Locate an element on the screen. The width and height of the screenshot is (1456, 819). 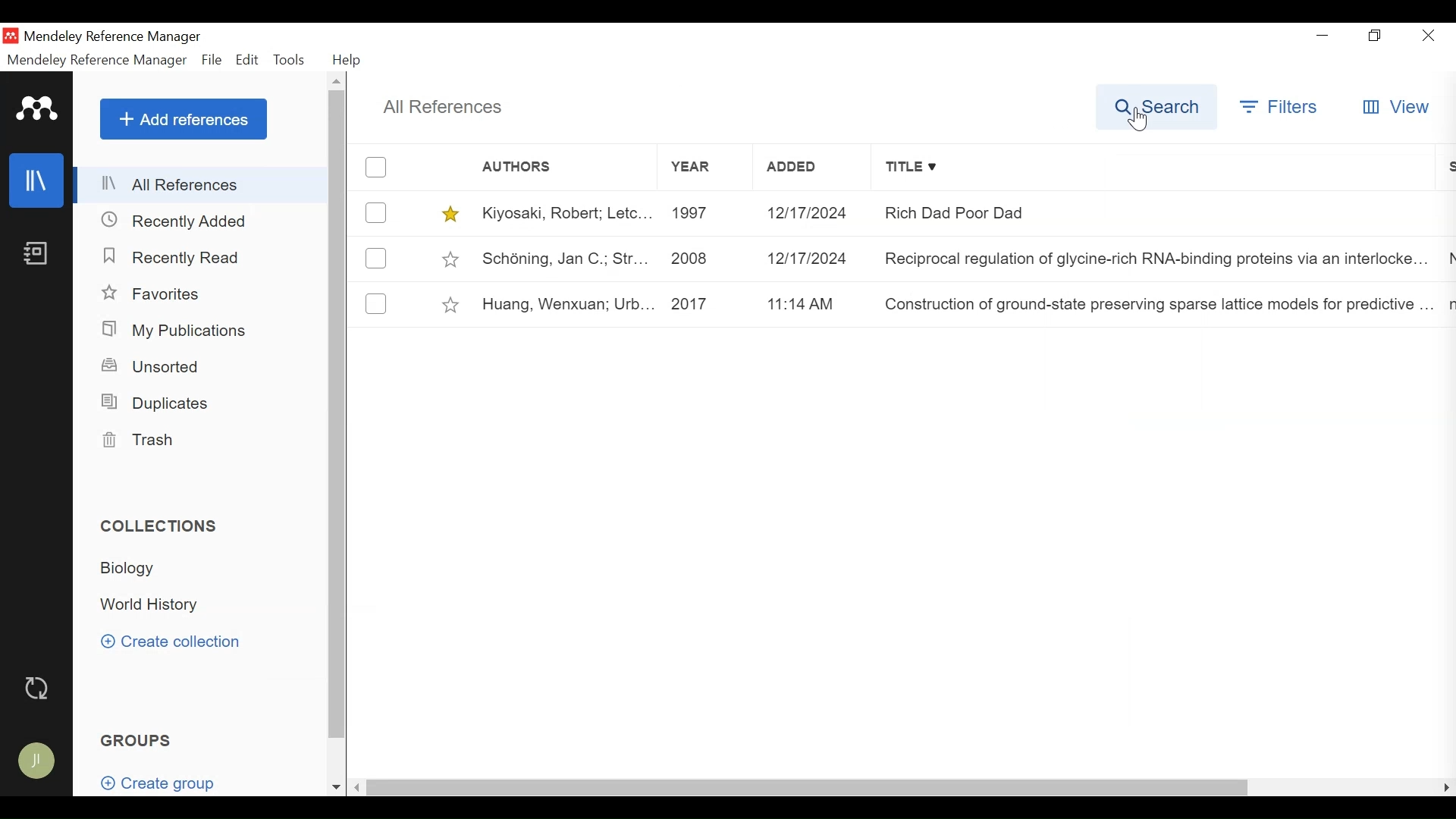
Toggle Favorites is located at coordinates (452, 303).